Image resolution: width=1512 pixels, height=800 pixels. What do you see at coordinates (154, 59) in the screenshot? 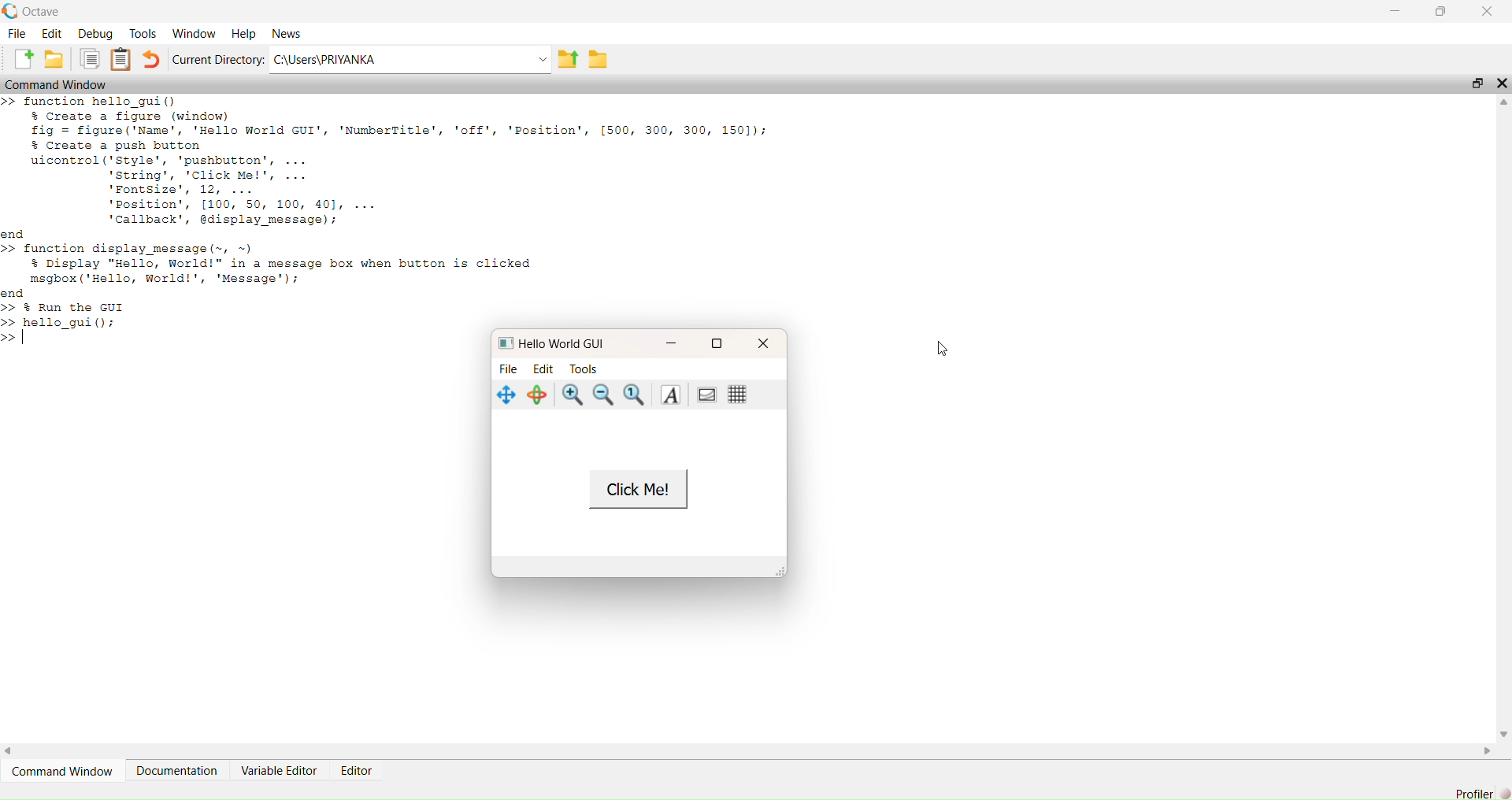
I see `undo` at bounding box center [154, 59].